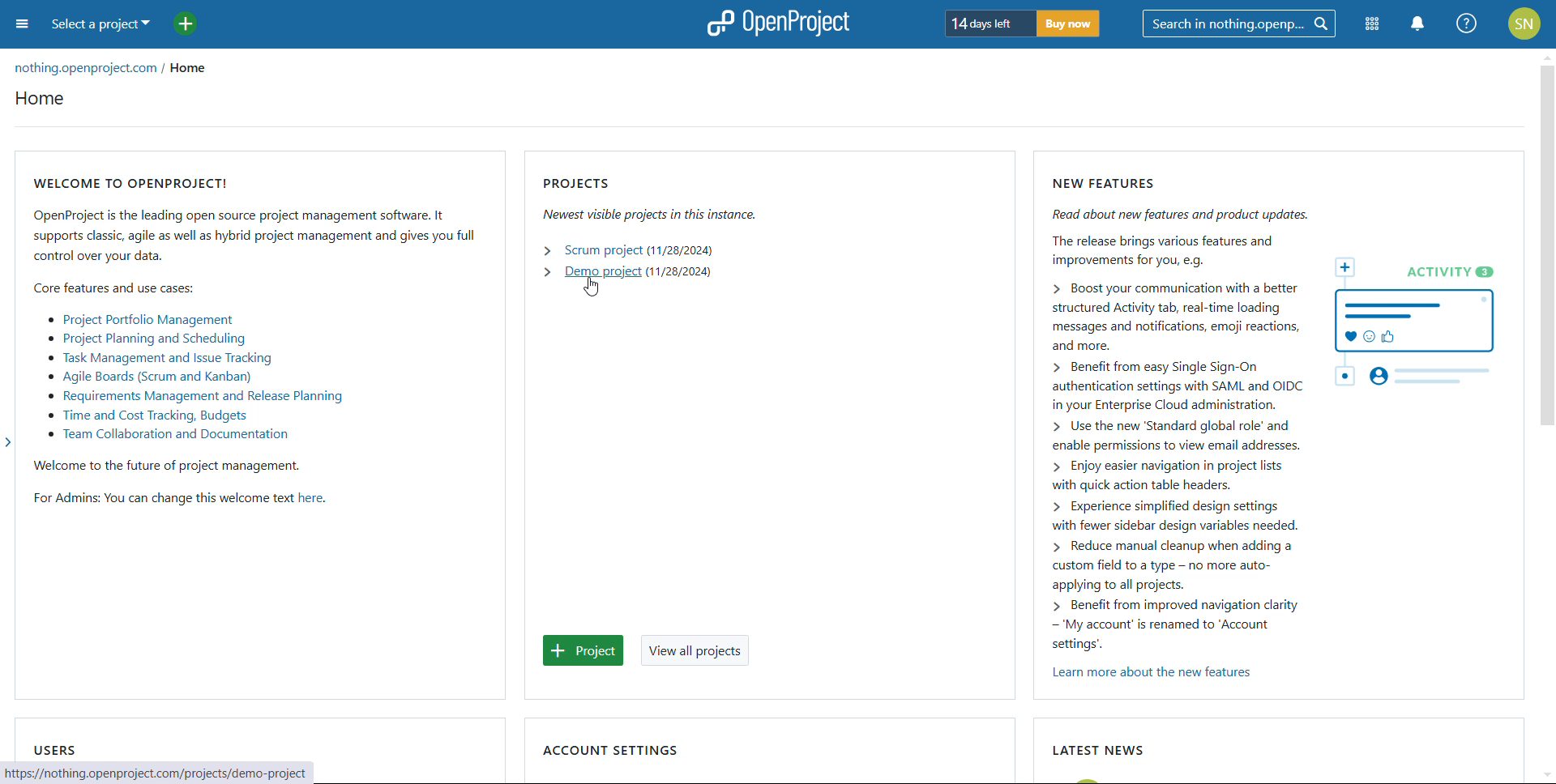  What do you see at coordinates (53, 749) in the screenshot?
I see `users` at bounding box center [53, 749].